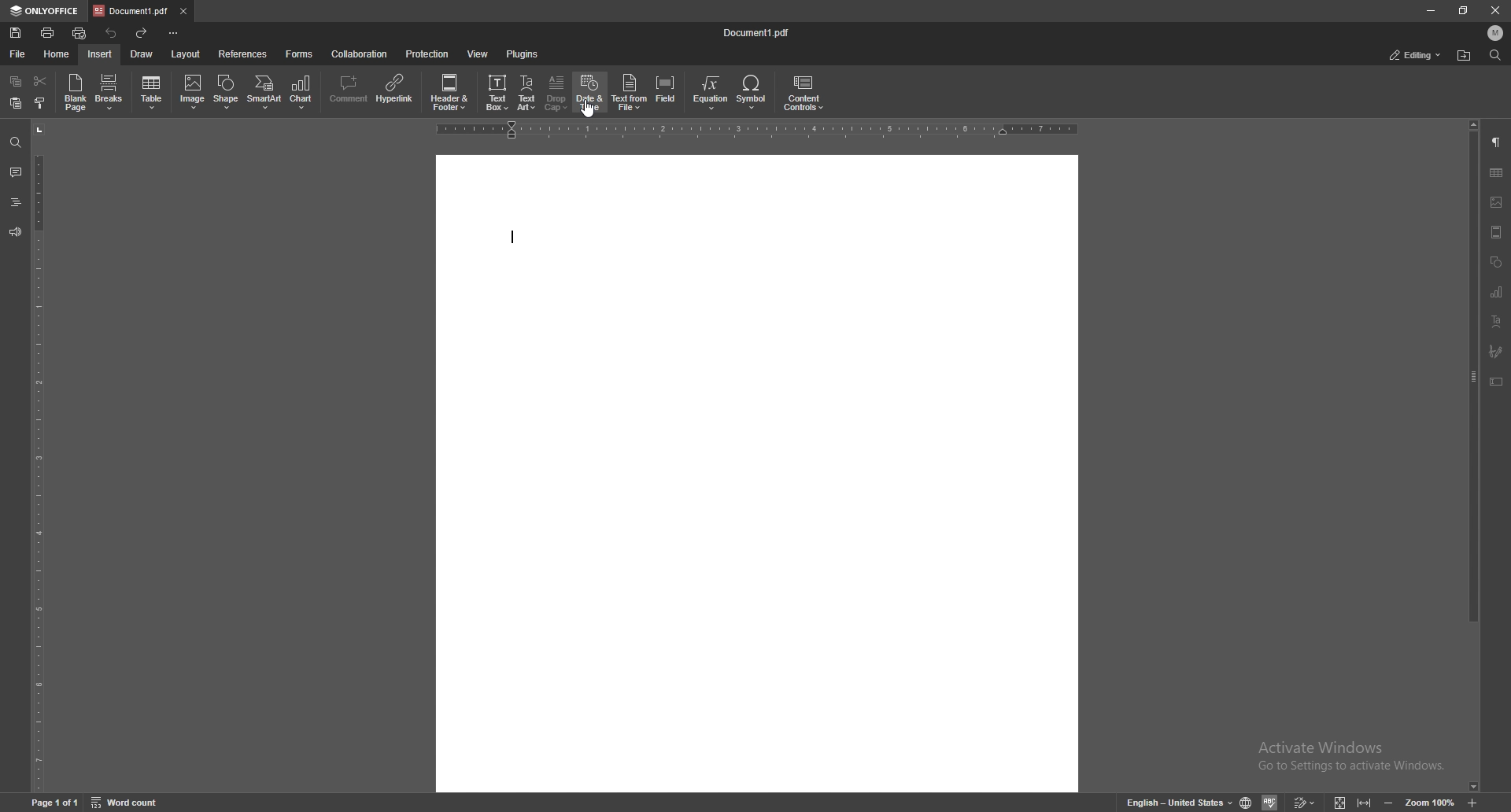  I want to click on horizontal scale, so click(758, 131).